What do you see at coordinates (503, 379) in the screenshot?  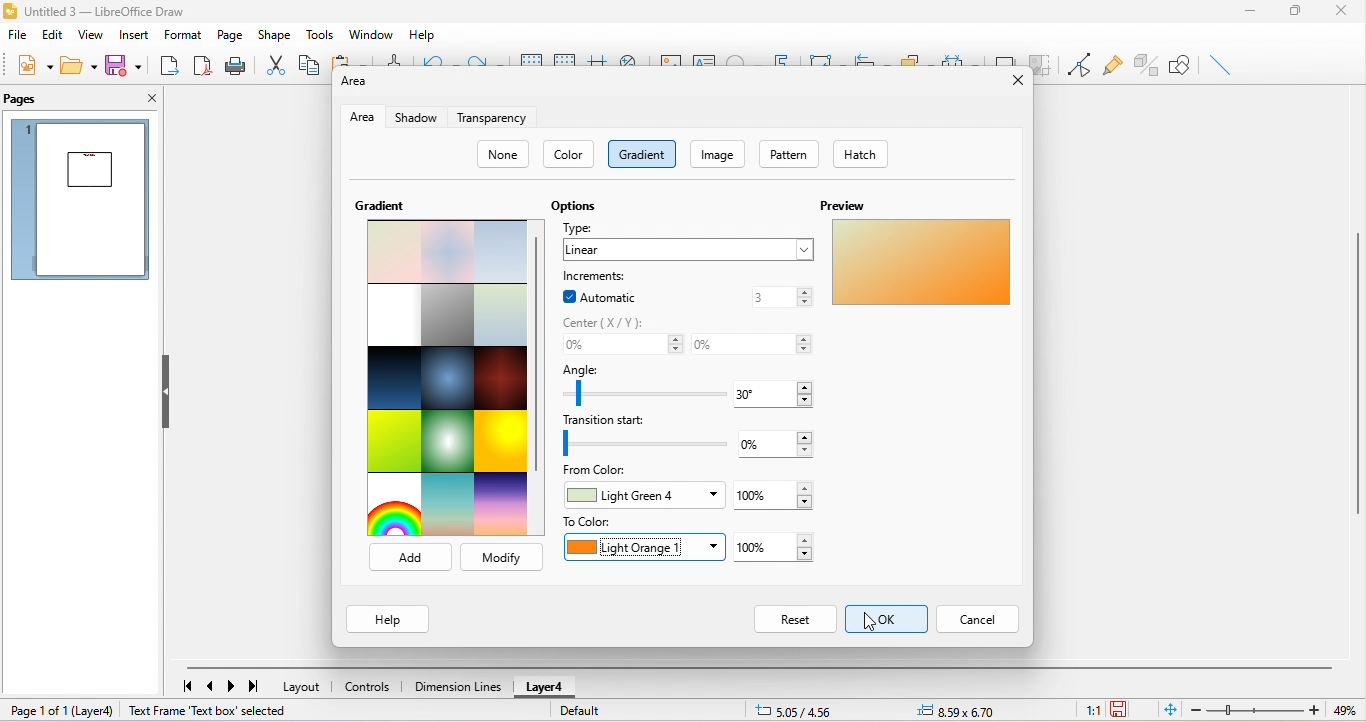 I see `mahogany` at bounding box center [503, 379].